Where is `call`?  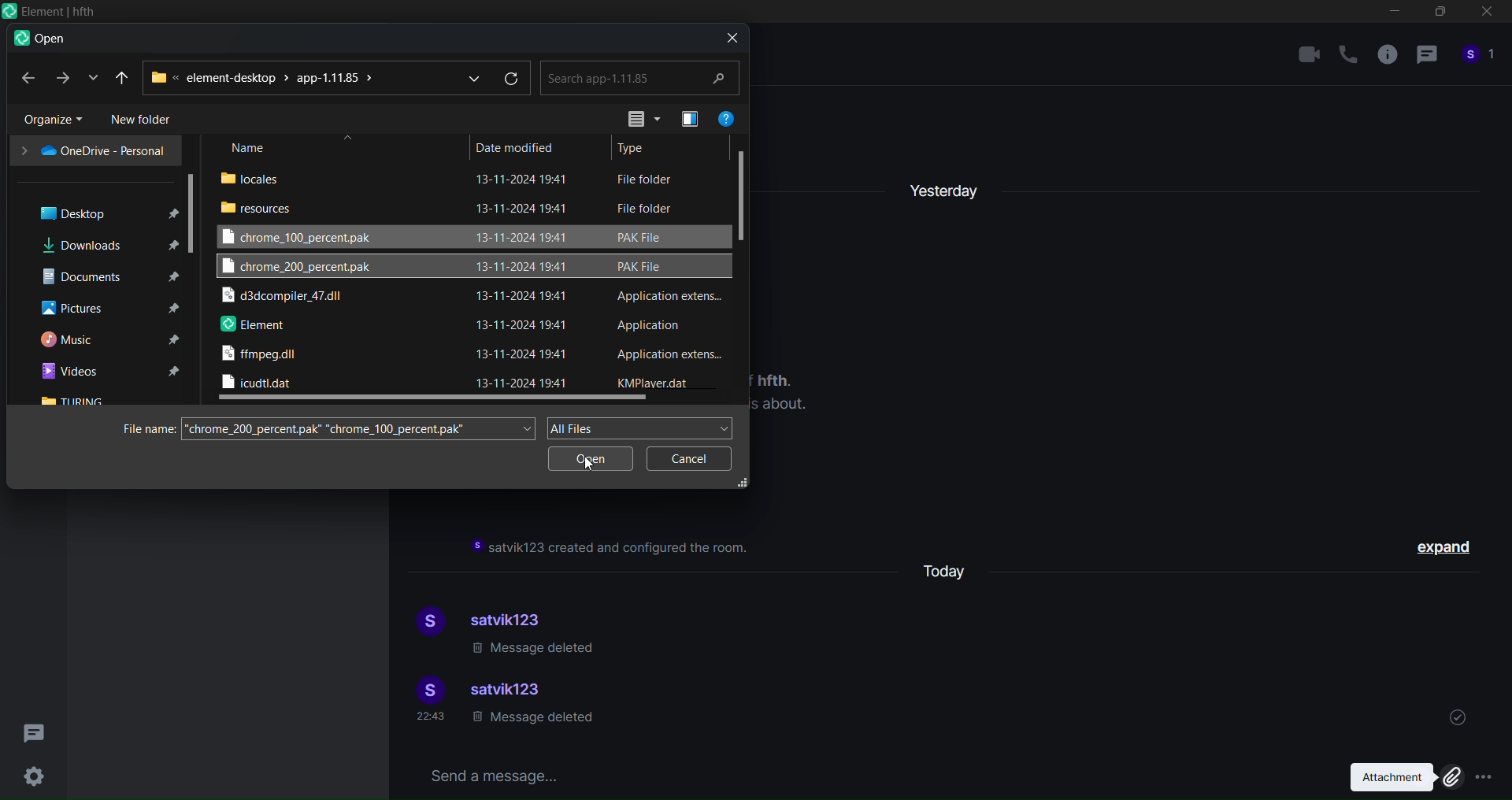 call is located at coordinates (1348, 55).